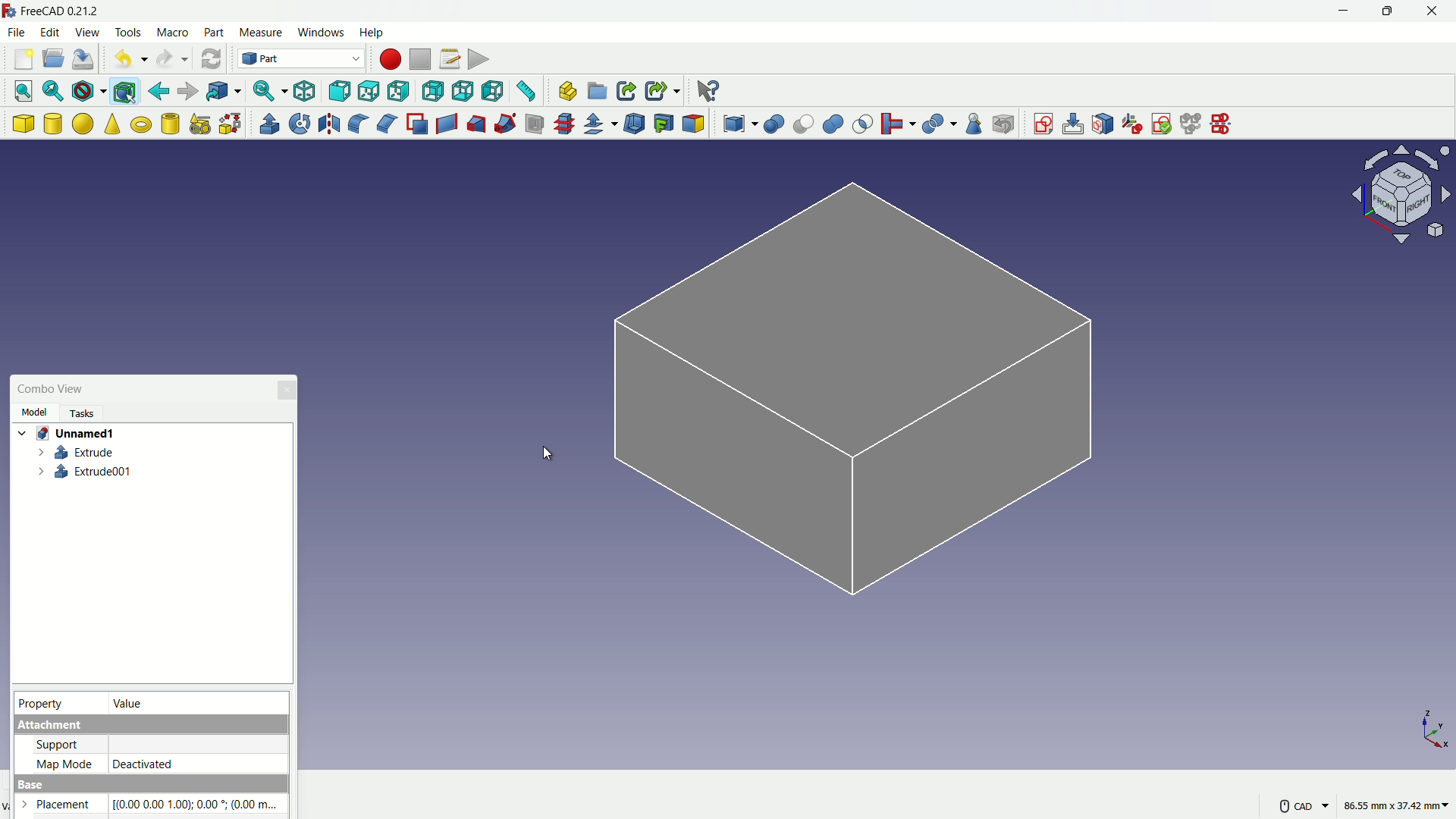  What do you see at coordinates (54, 58) in the screenshot?
I see `open file` at bounding box center [54, 58].